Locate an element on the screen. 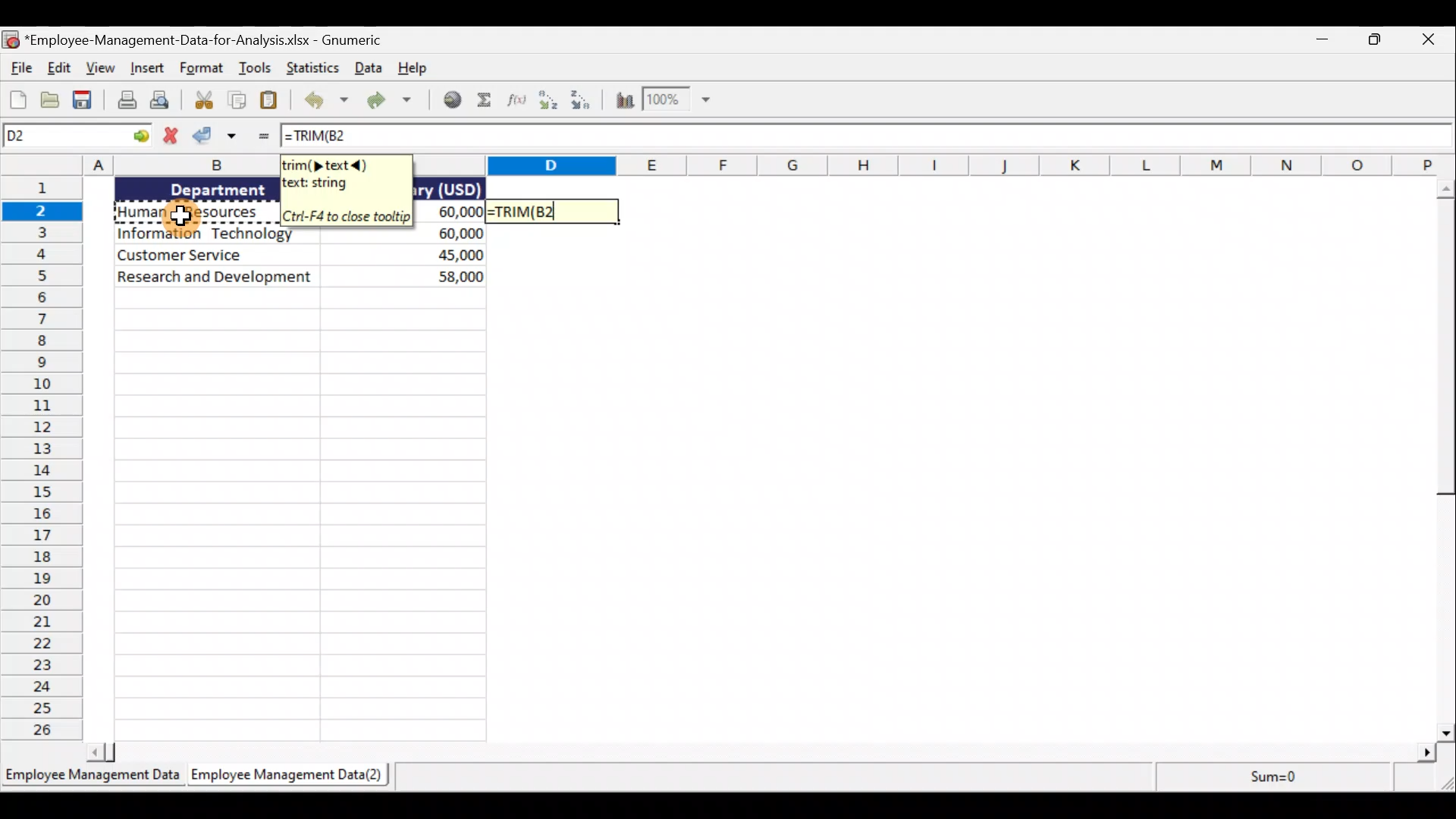 This screenshot has height=819, width=1456. Tooltip is located at coordinates (344, 190).